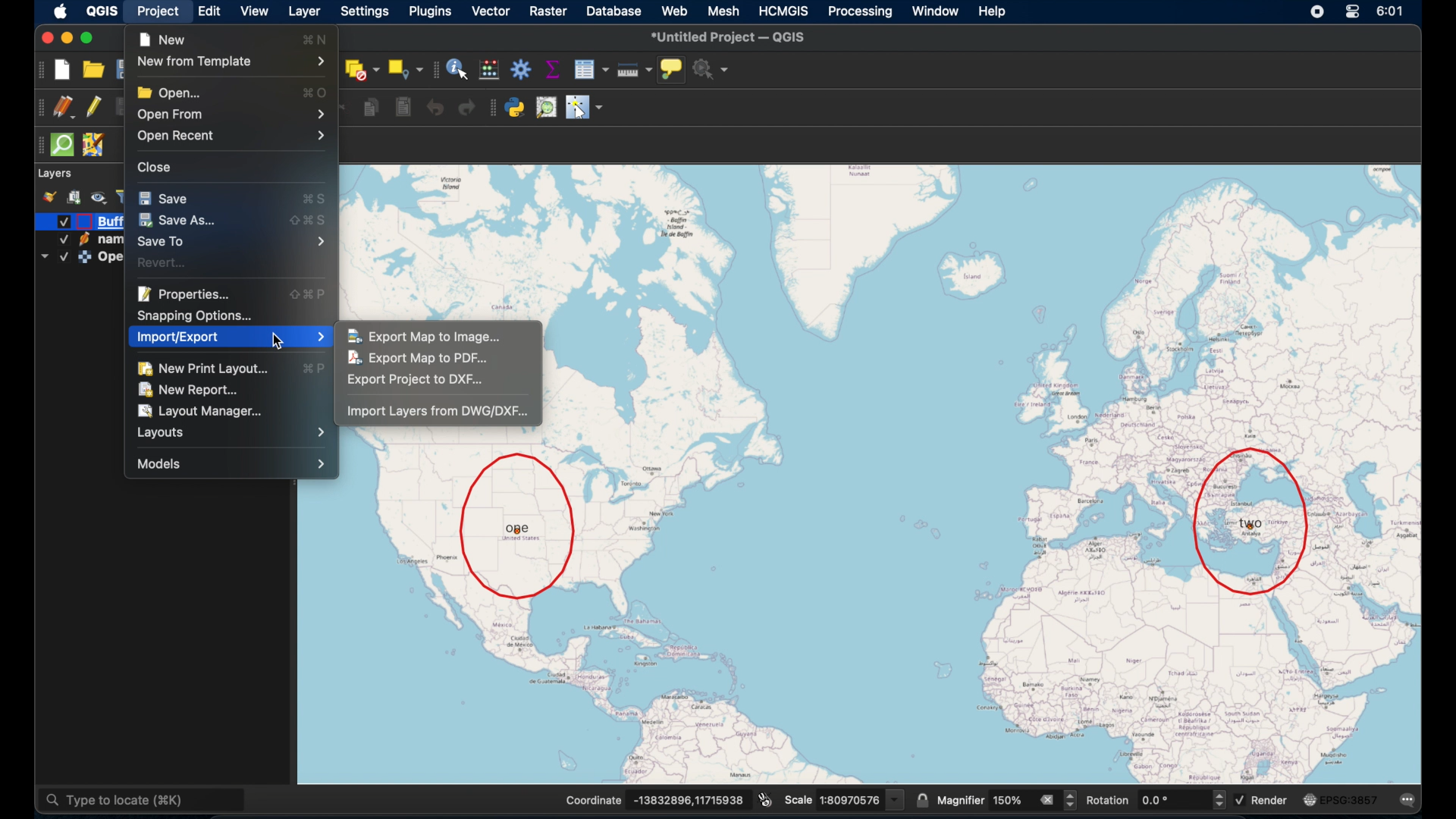  I want to click on Increase and decrease magnifier value, so click(1071, 800).